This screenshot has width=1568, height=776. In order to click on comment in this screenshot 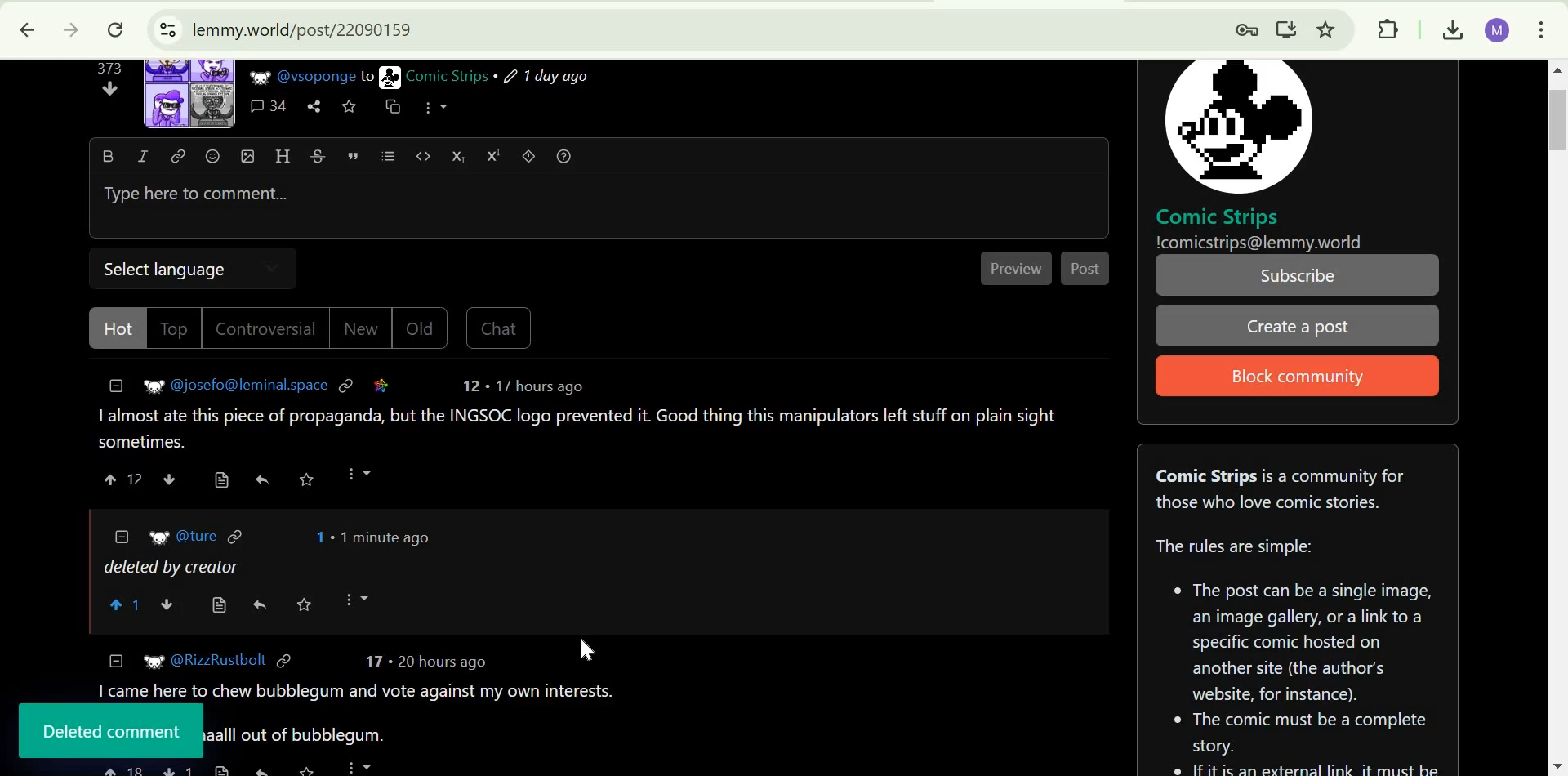, I will do `click(361, 690)`.